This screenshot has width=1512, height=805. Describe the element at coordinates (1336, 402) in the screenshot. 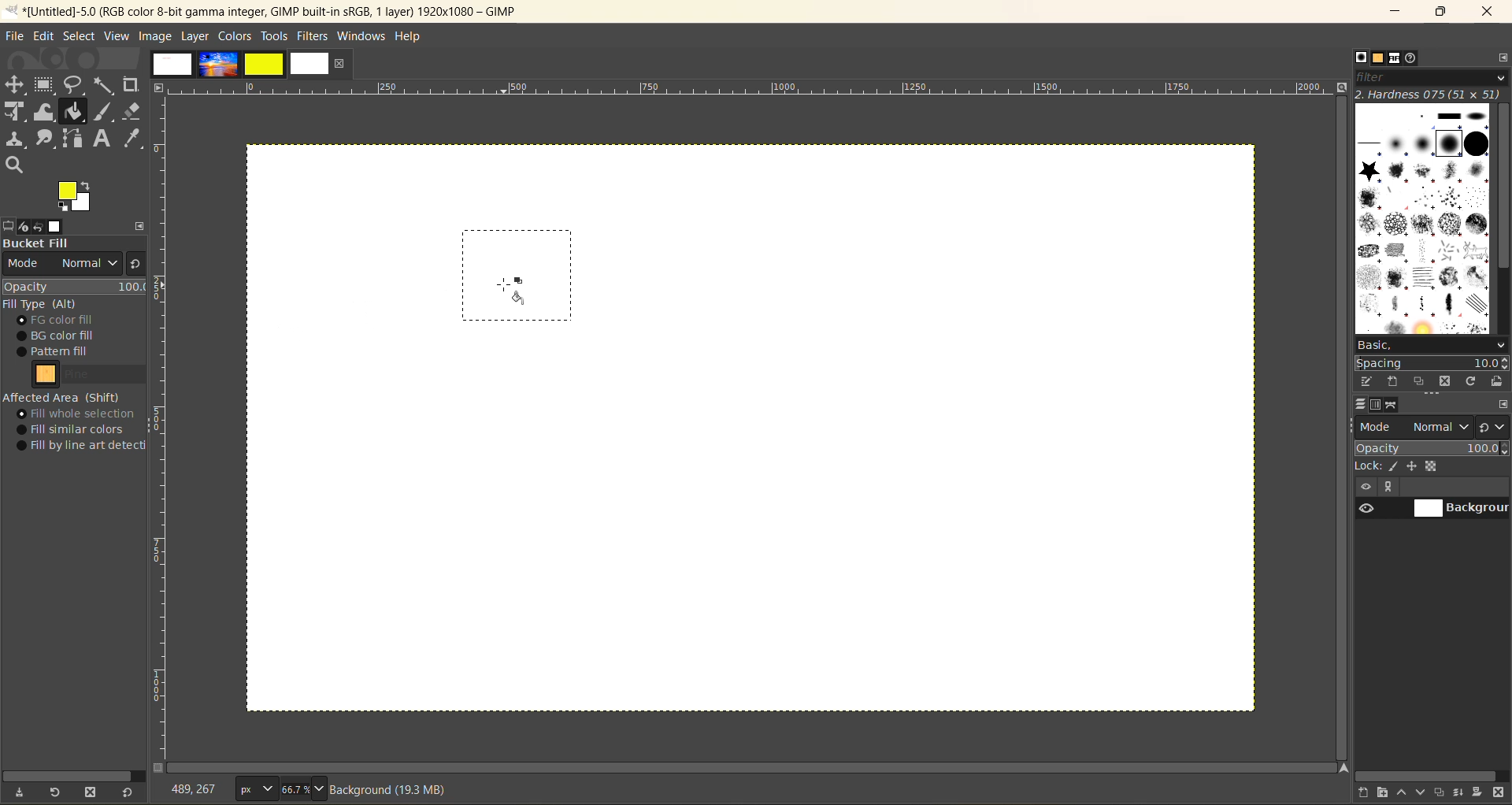

I see `vertical scroll bar` at that location.